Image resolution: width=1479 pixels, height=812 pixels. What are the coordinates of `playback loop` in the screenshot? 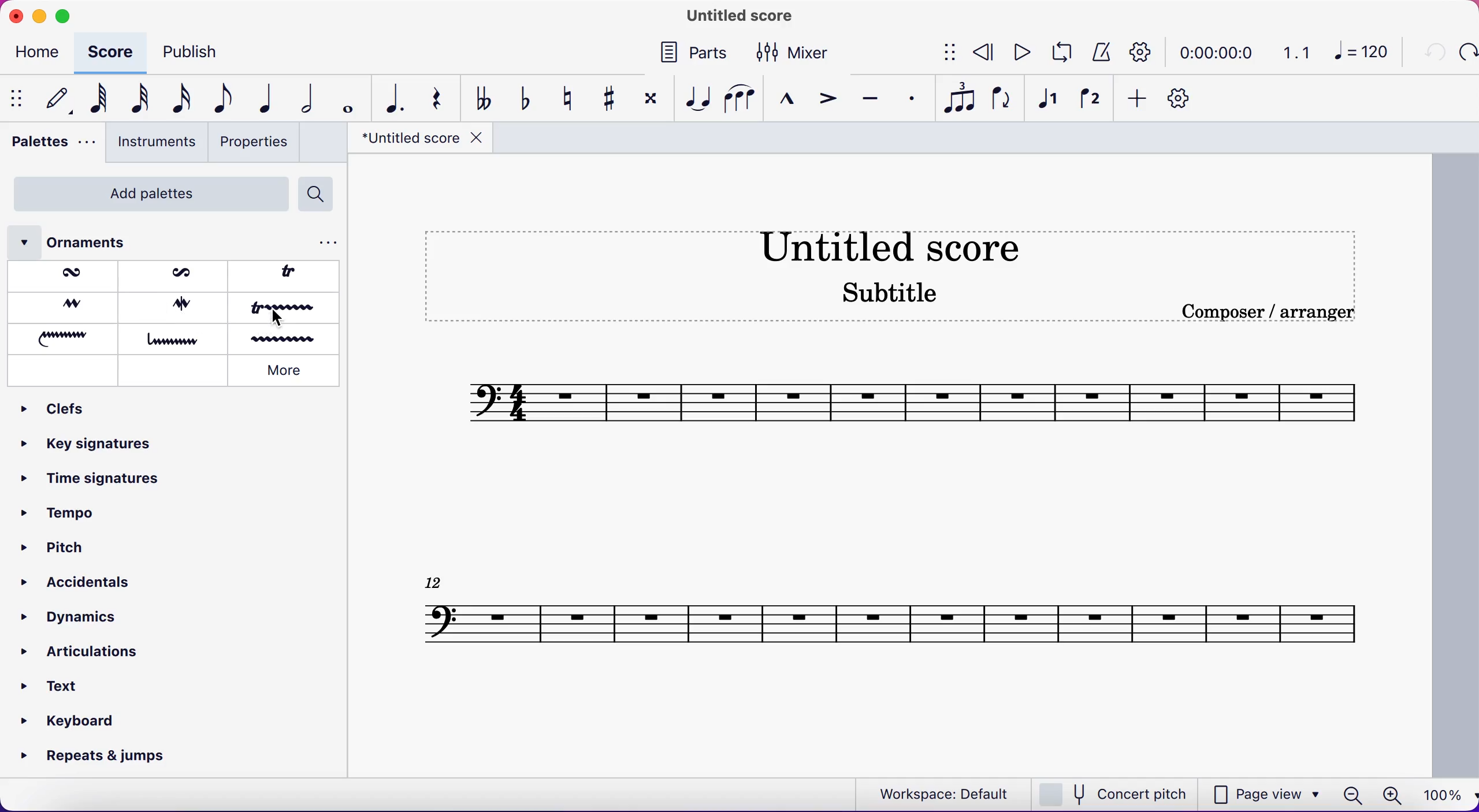 It's located at (1060, 54).